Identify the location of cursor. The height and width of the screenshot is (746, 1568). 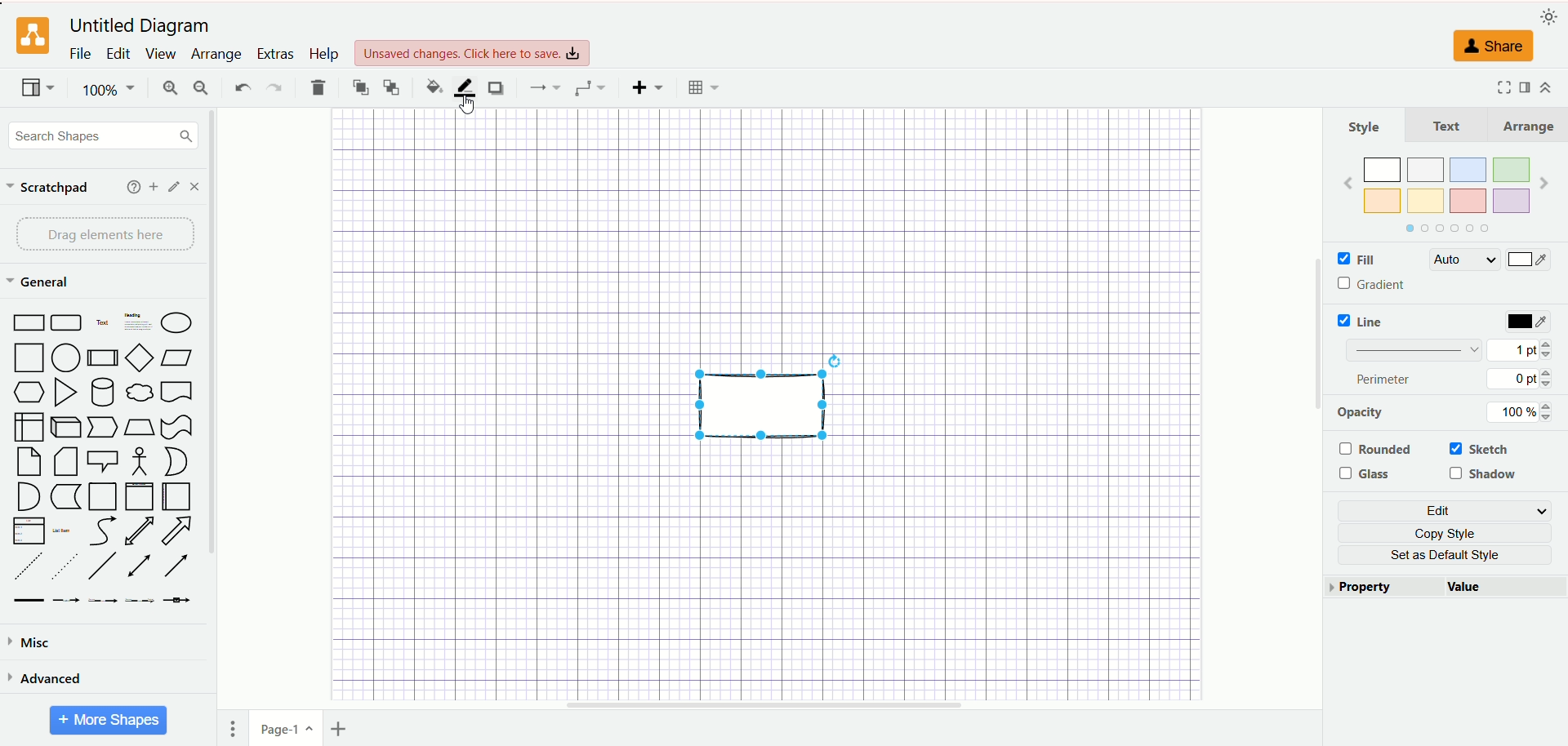
(468, 105).